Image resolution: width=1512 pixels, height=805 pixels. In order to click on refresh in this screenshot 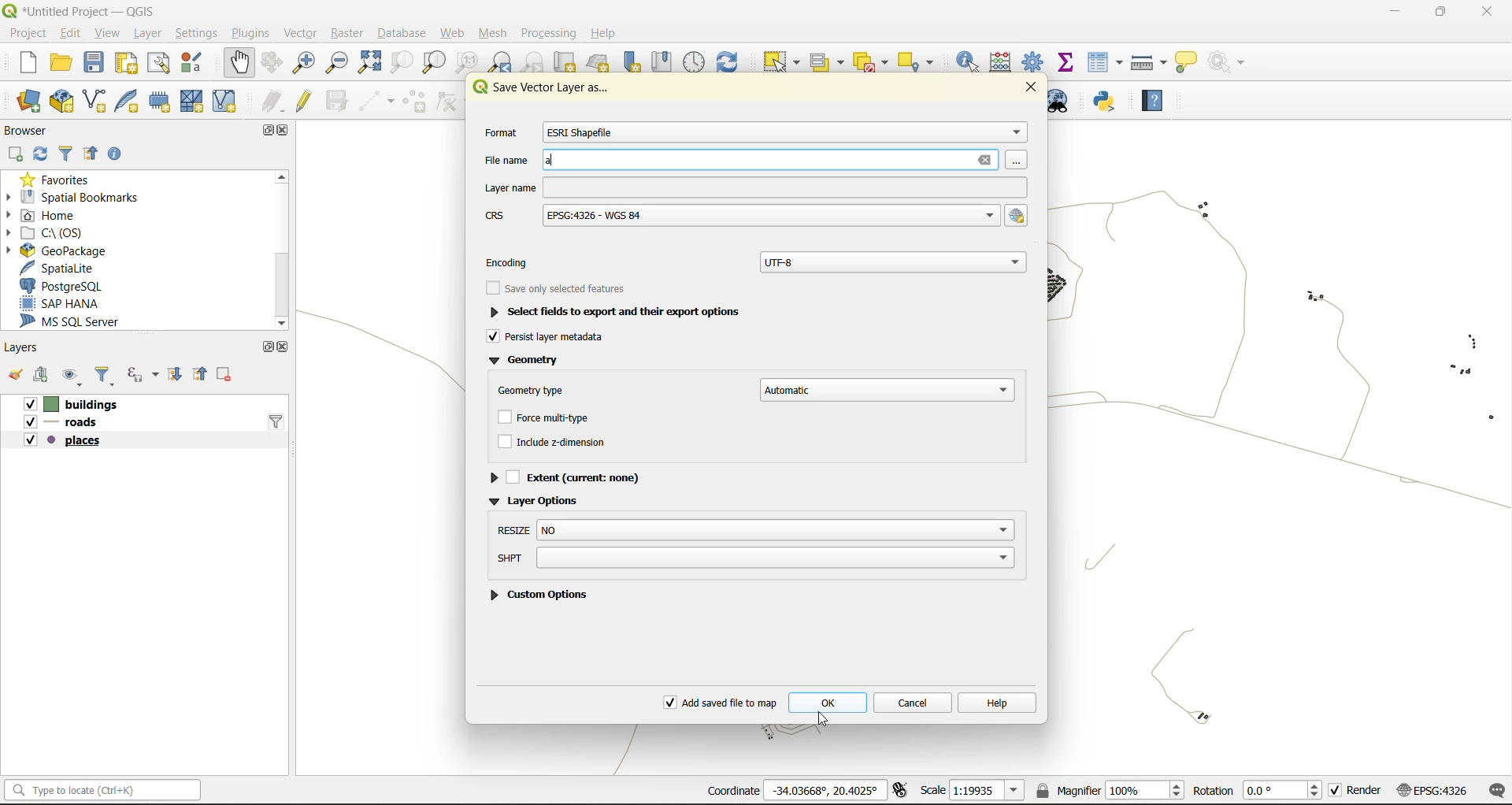, I will do `click(736, 59)`.